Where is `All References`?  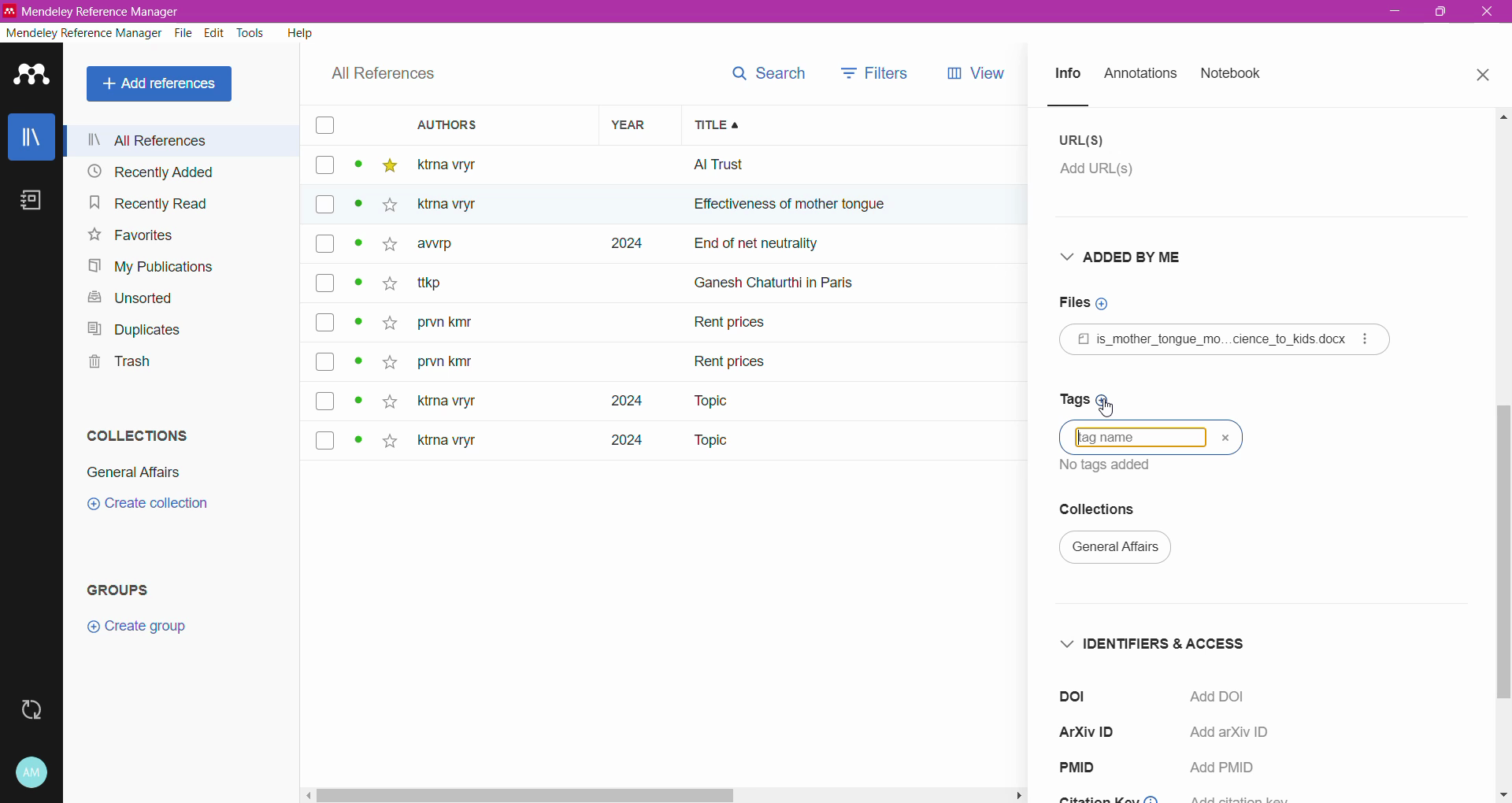
All References is located at coordinates (162, 84).